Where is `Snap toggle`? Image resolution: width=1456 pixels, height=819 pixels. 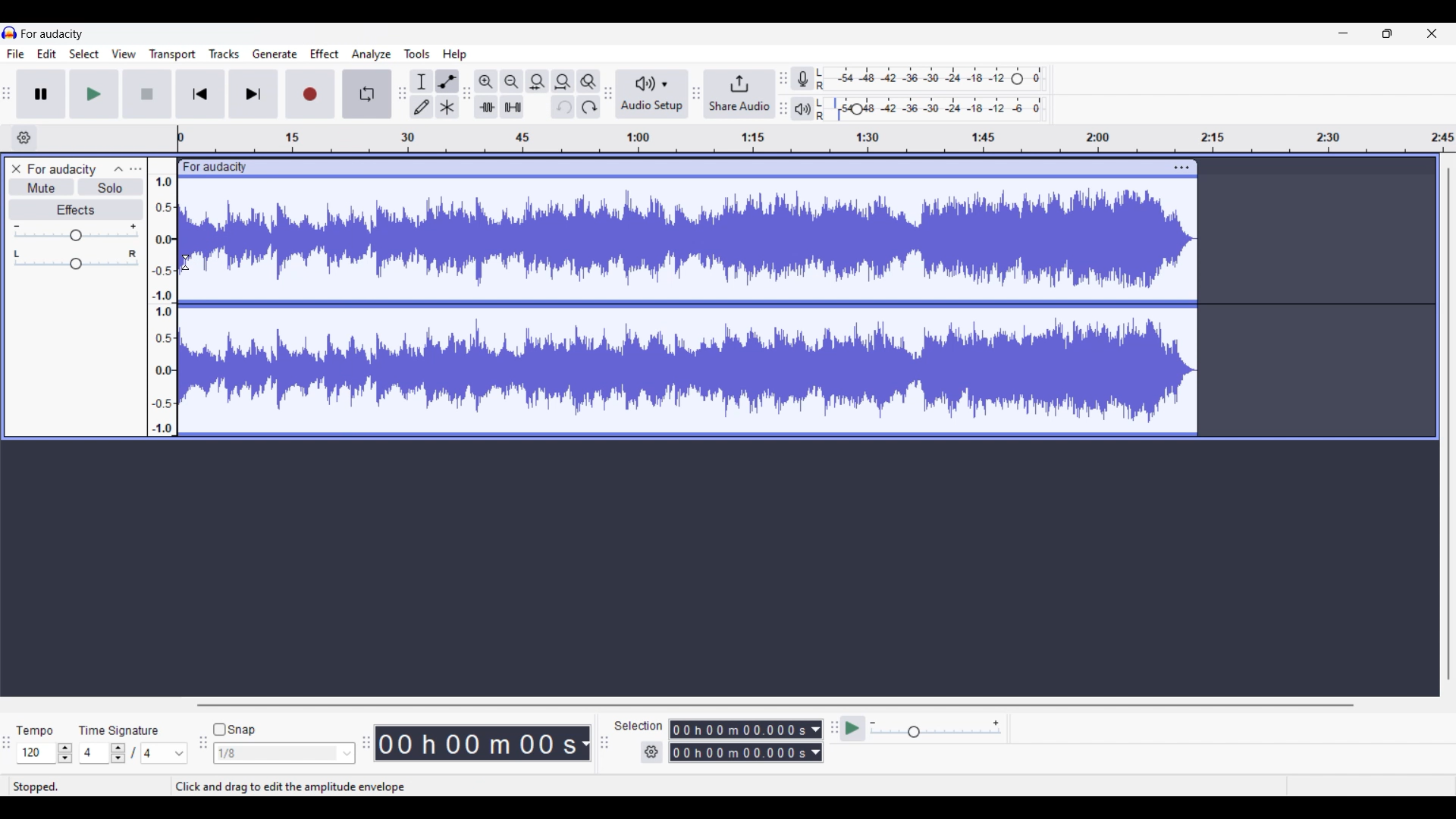
Snap toggle is located at coordinates (234, 730).